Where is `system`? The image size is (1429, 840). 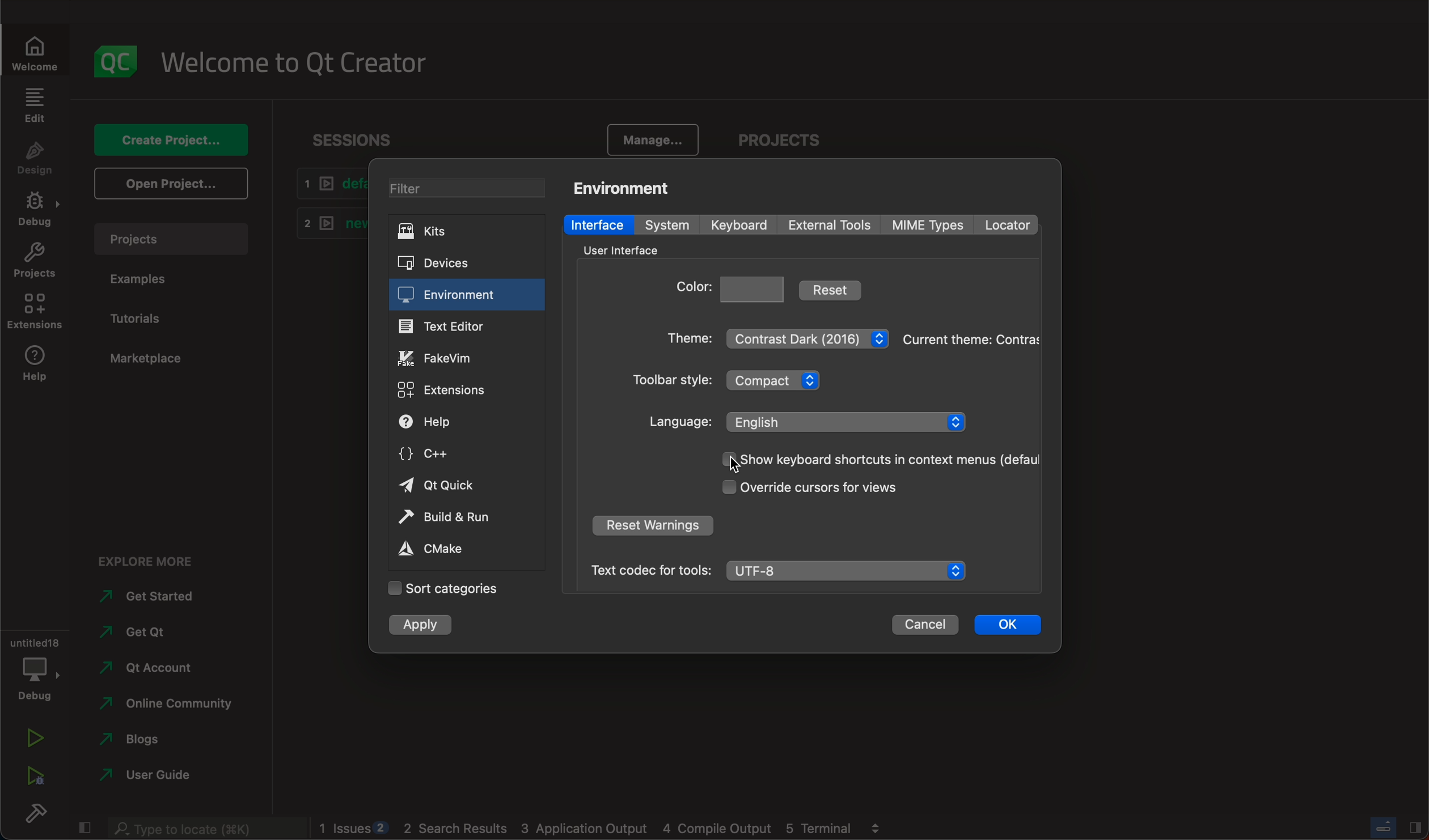
system is located at coordinates (665, 224).